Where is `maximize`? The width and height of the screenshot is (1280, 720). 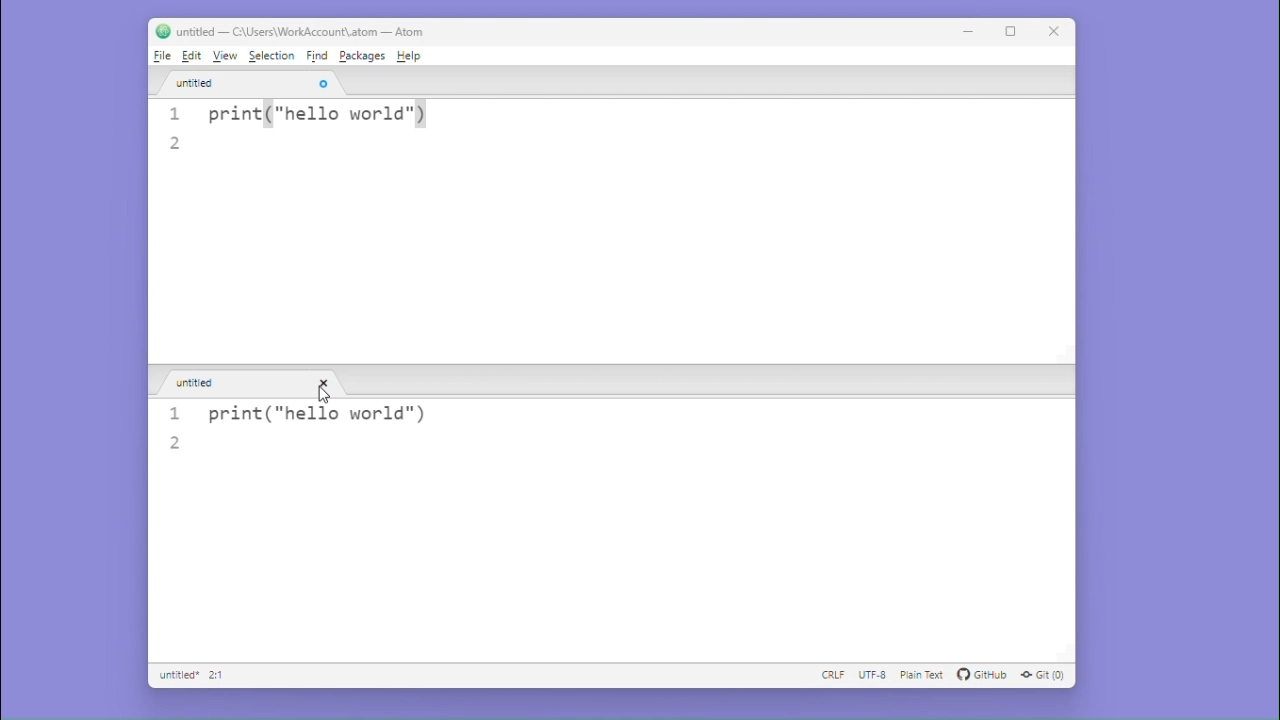 maximize is located at coordinates (1014, 30).